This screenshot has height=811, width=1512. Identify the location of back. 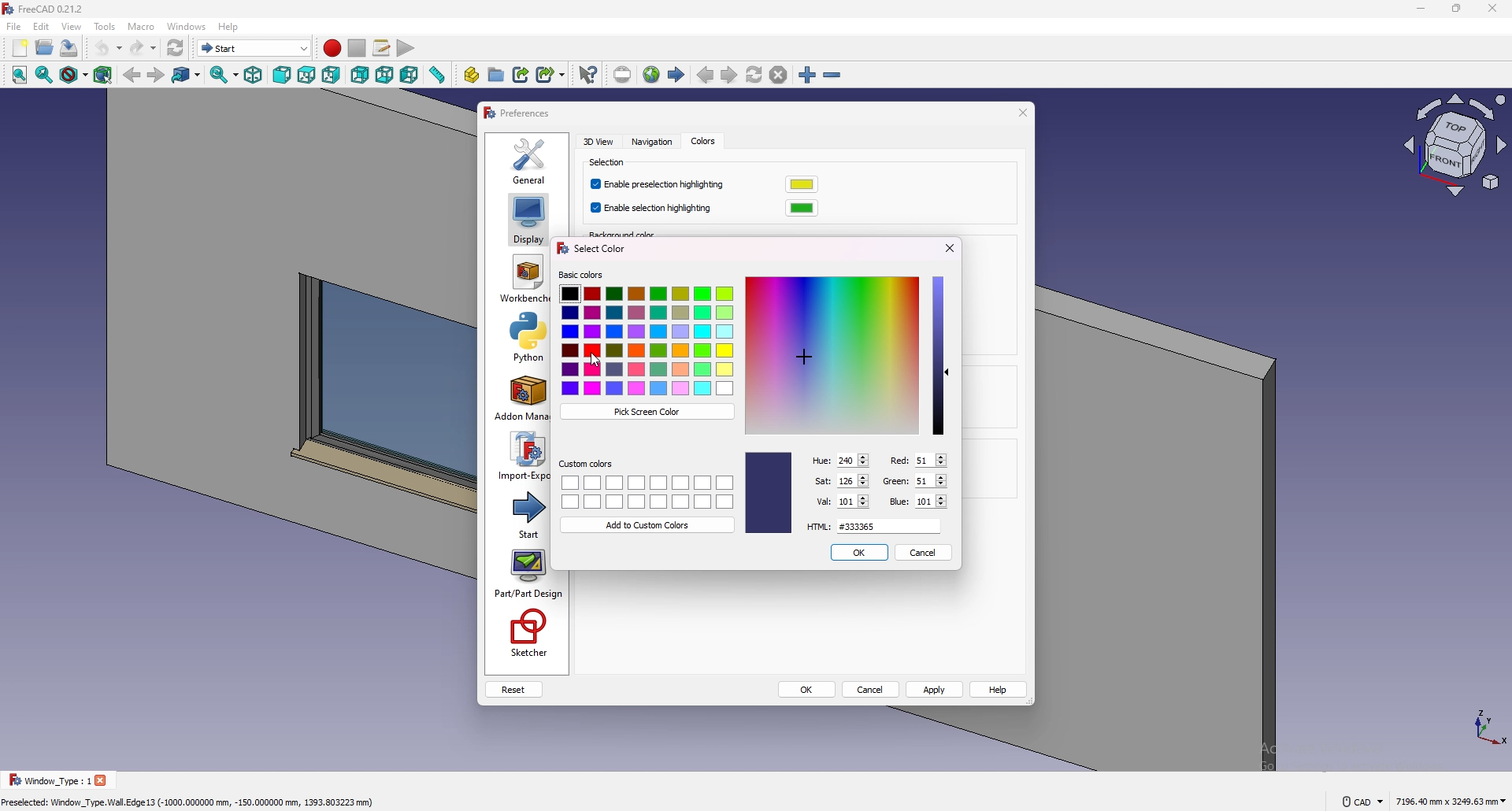
(132, 76).